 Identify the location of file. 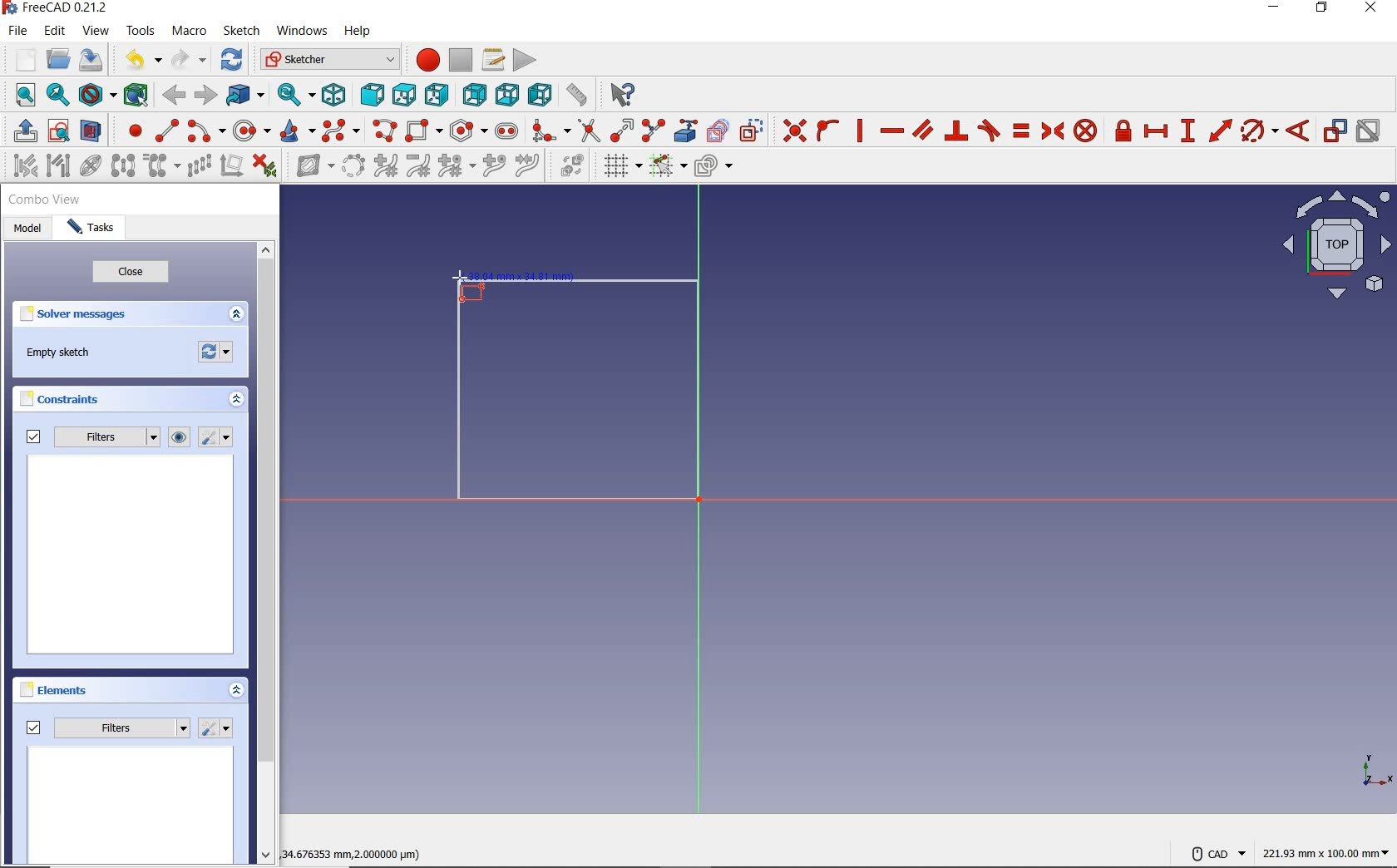
(20, 32).